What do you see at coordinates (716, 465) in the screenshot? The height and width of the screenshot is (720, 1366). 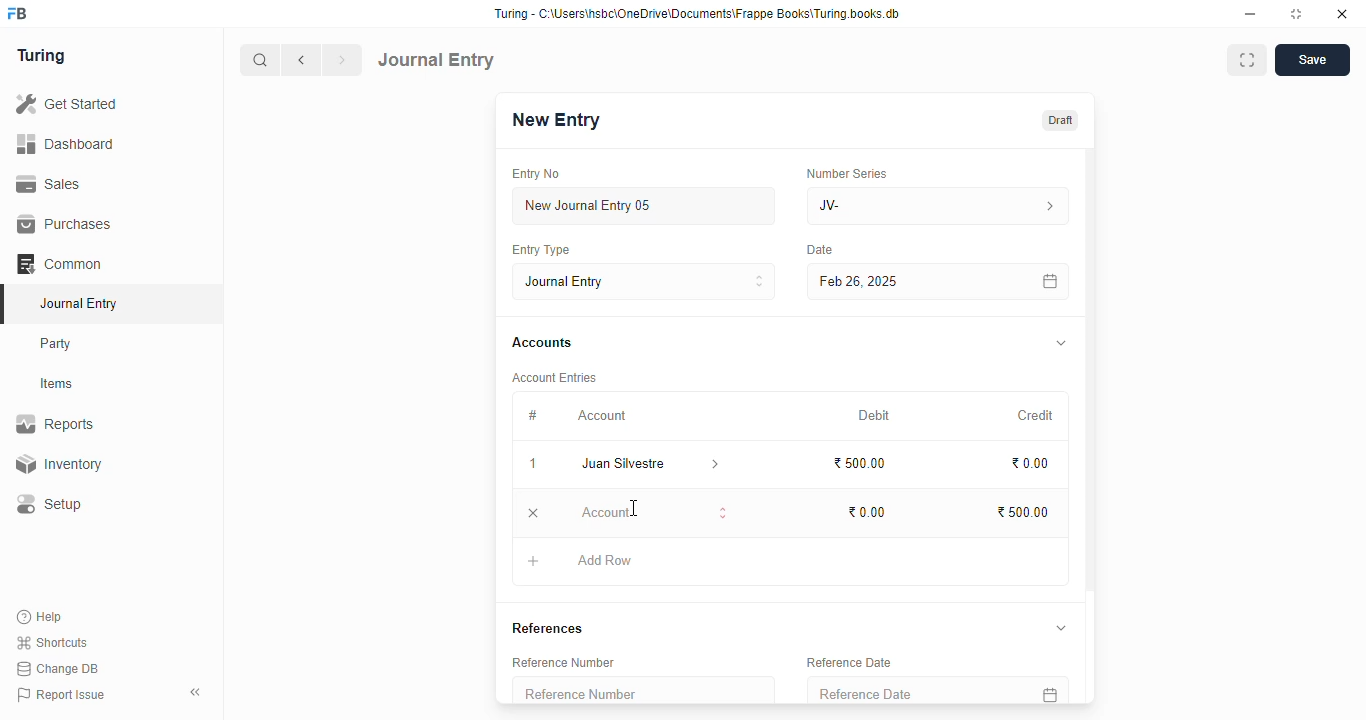 I see `account information` at bounding box center [716, 465].